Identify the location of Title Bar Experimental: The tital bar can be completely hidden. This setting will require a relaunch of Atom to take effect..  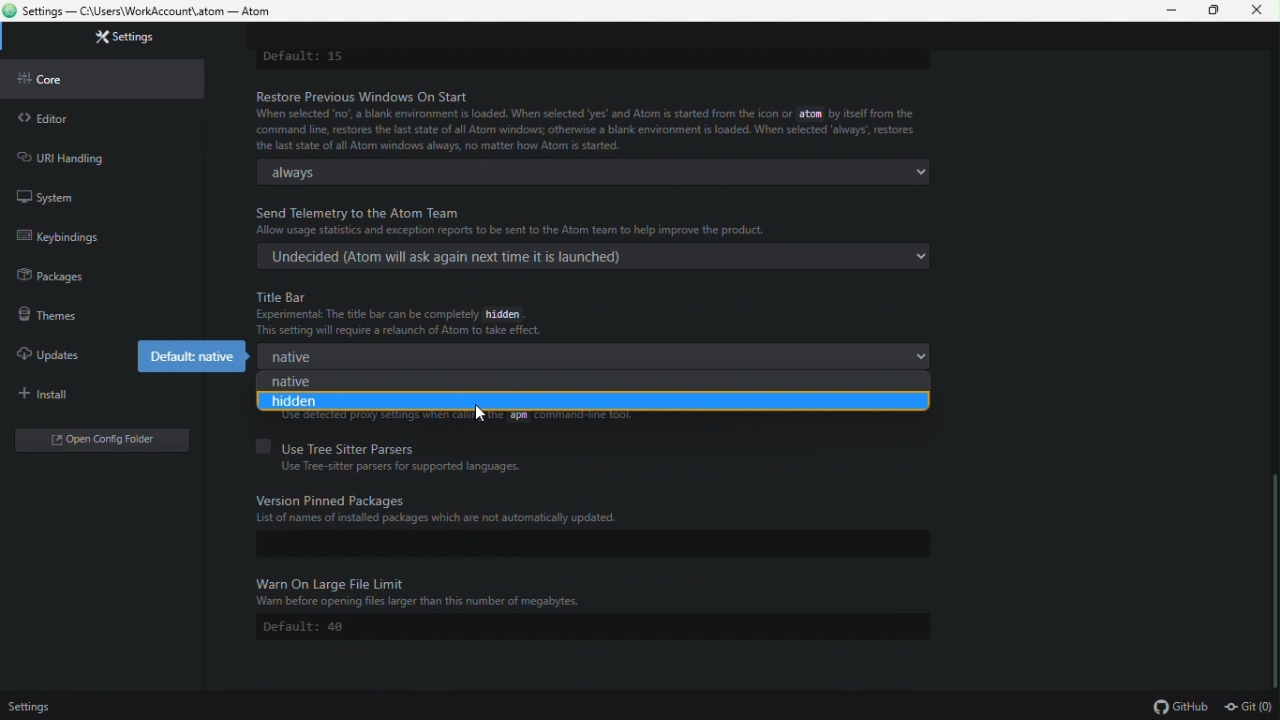
(409, 312).